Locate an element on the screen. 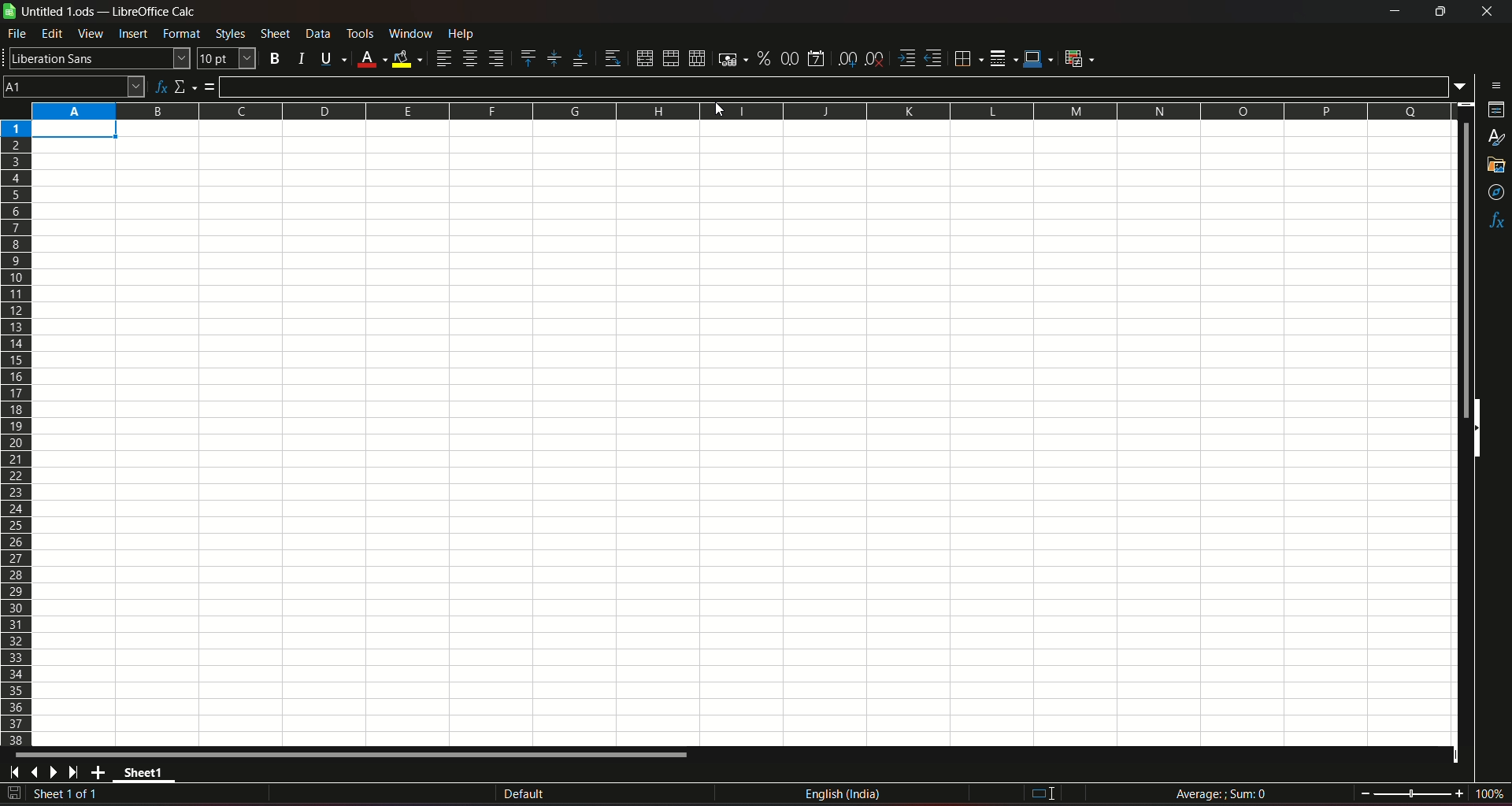 The width and height of the screenshot is (1512, 806). format as percent is located at coordinates (762, 59).